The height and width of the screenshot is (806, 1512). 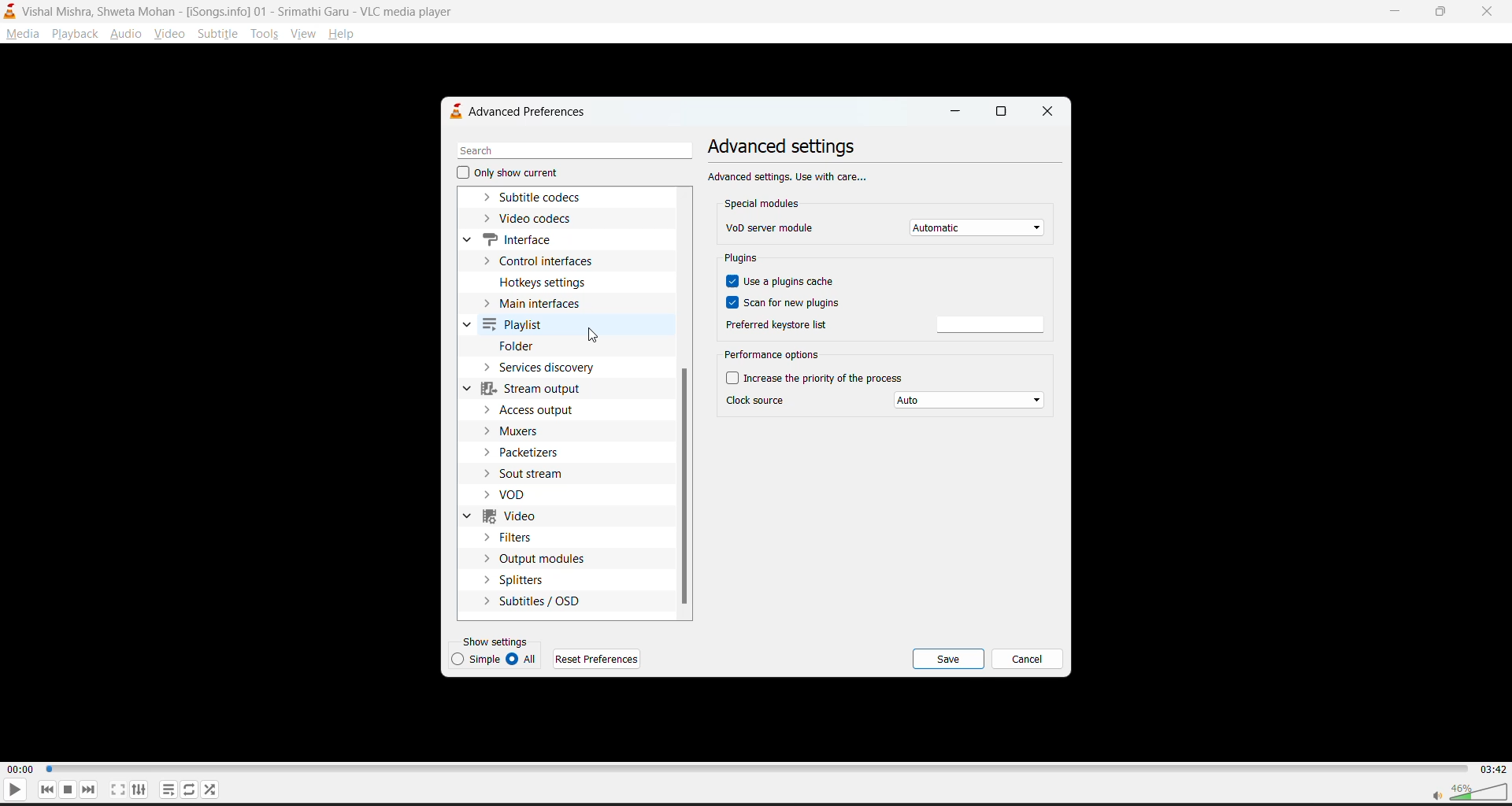 What do you see at coordinates (19, 769) in the screenshot?
I see `00:00` at bounding box center [19, 769].